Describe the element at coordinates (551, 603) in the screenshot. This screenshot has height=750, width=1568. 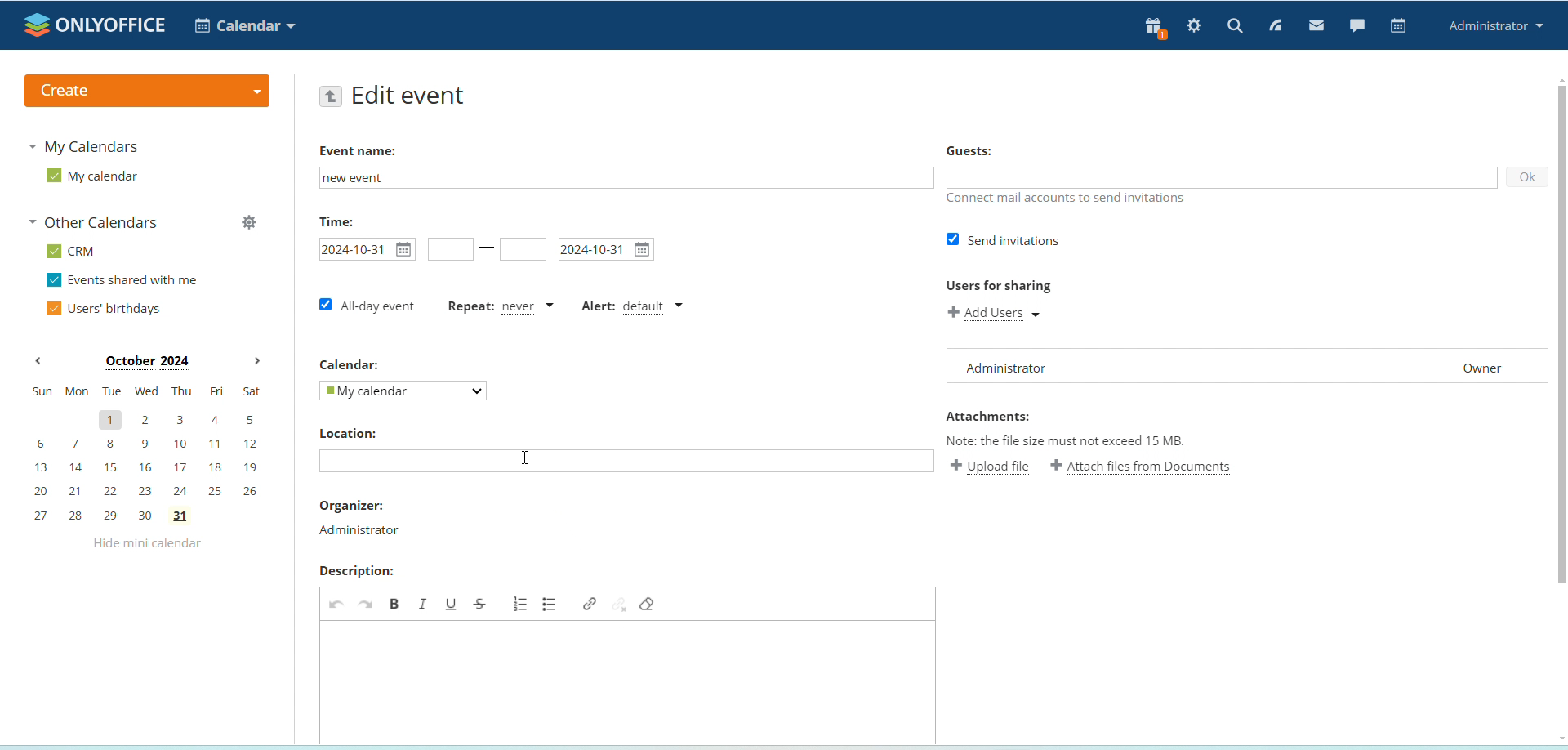
I see `add/remove bulleted list` at that location.